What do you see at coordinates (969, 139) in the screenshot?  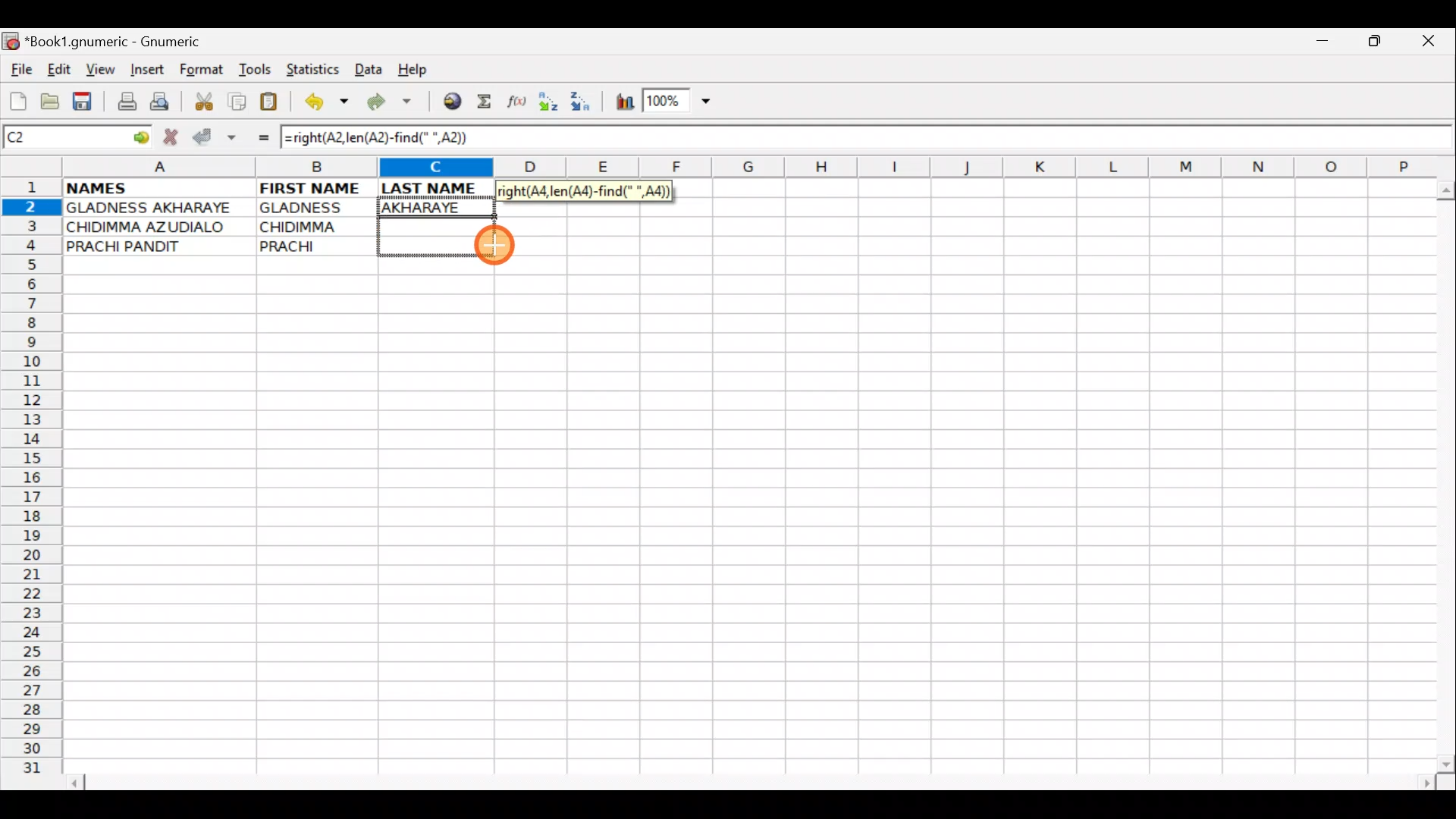 I see `Formula bar` at bounding box center [969, 139].